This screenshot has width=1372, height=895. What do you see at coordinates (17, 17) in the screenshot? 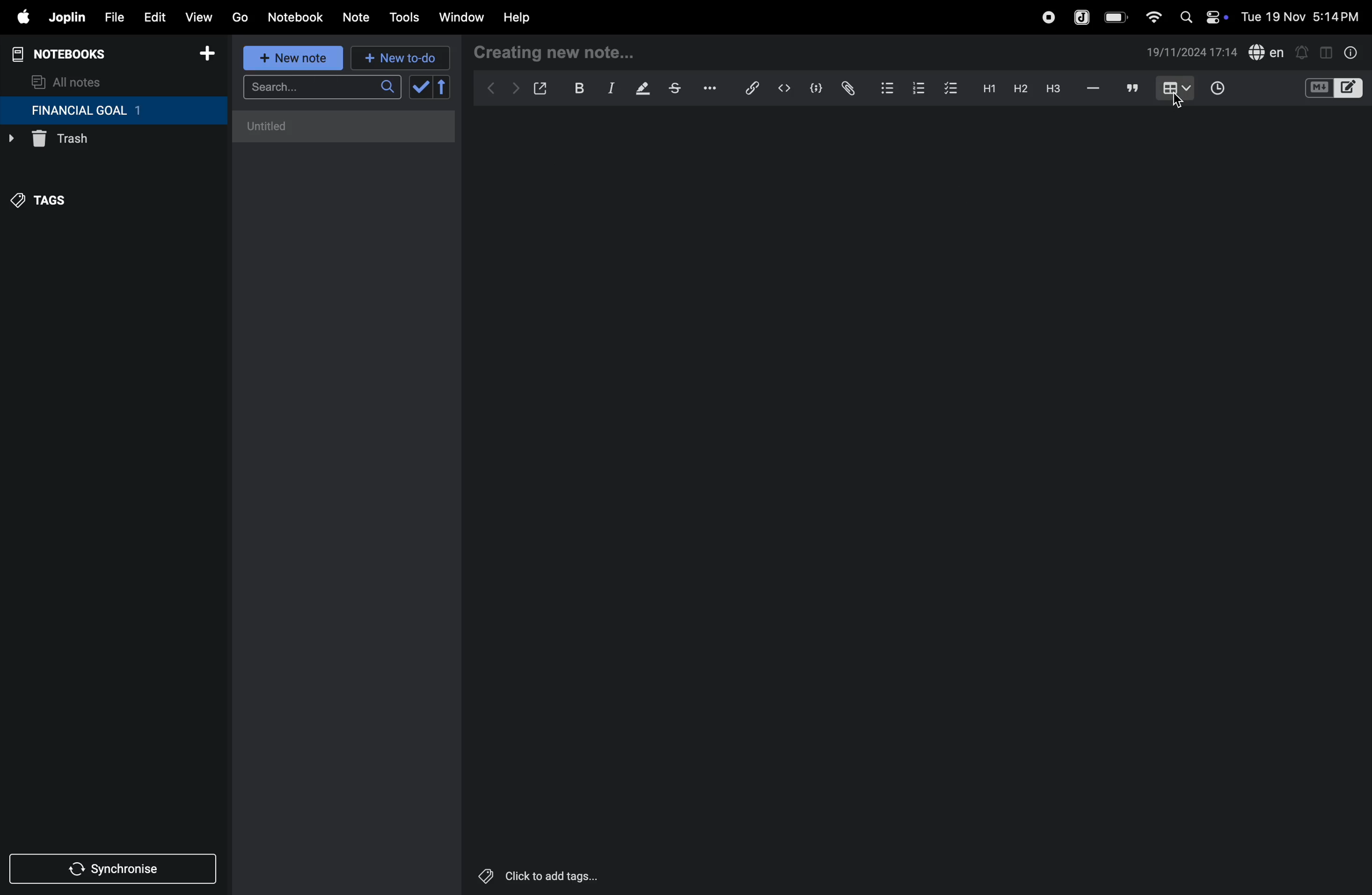
I see `apple menu` at bounding box center [17, 17].